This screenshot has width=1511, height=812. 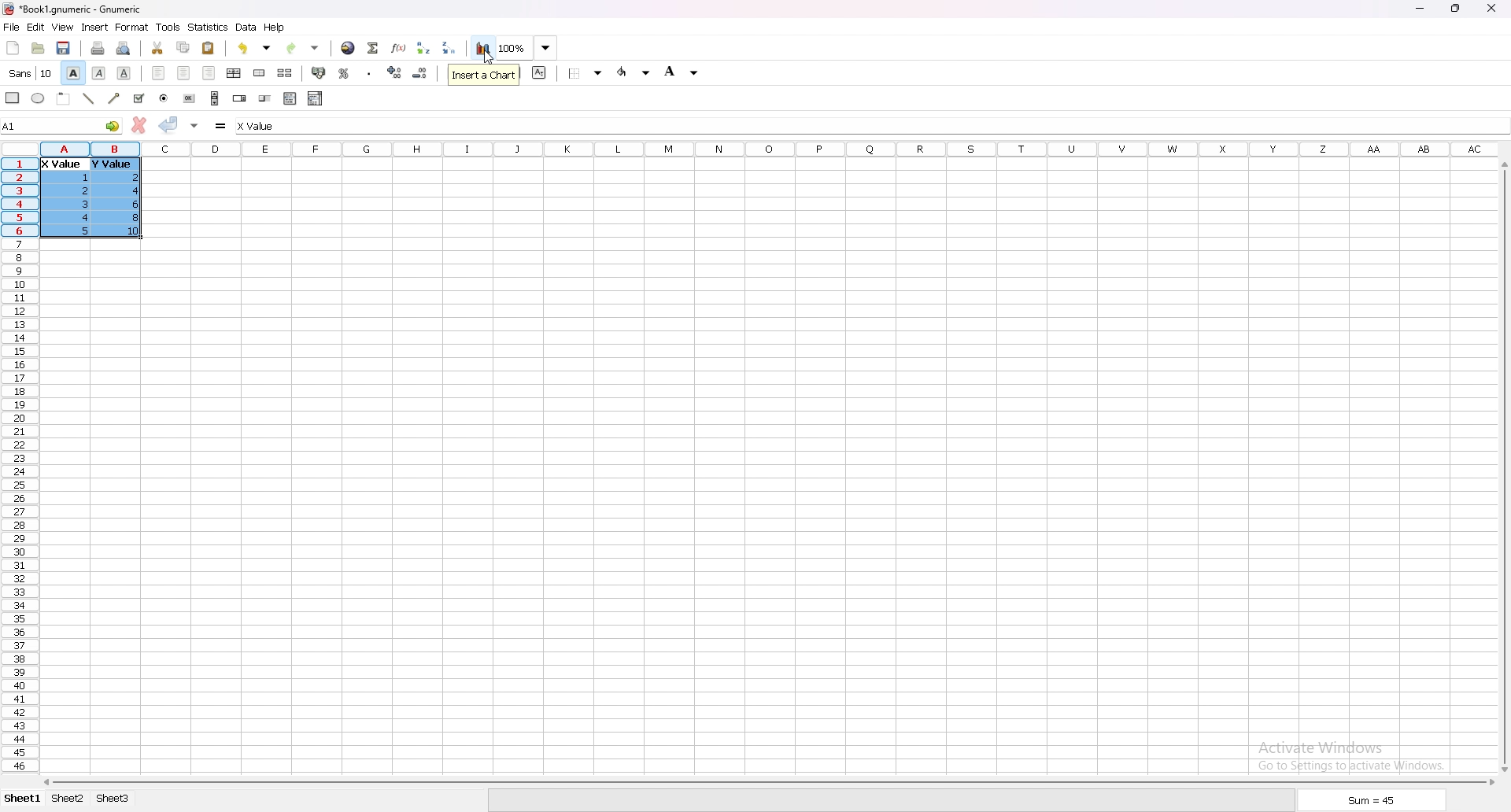 I want to click on accept change, so click(x=168, y=124).